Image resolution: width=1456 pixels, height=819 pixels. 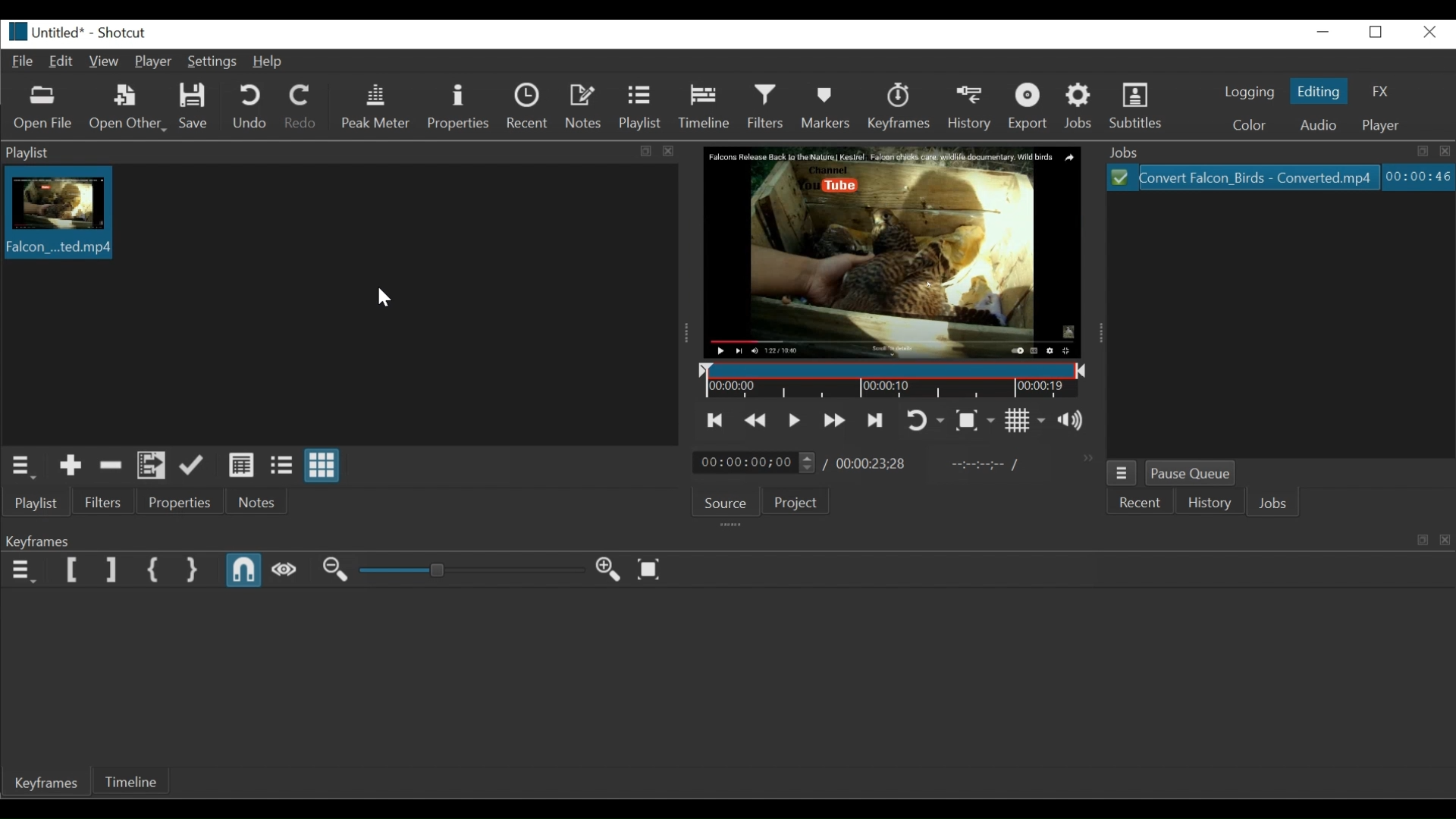 What do you see at coordinates (105, 501) in the screenshot?
I see `Filters` at bounding box center [105, 501].